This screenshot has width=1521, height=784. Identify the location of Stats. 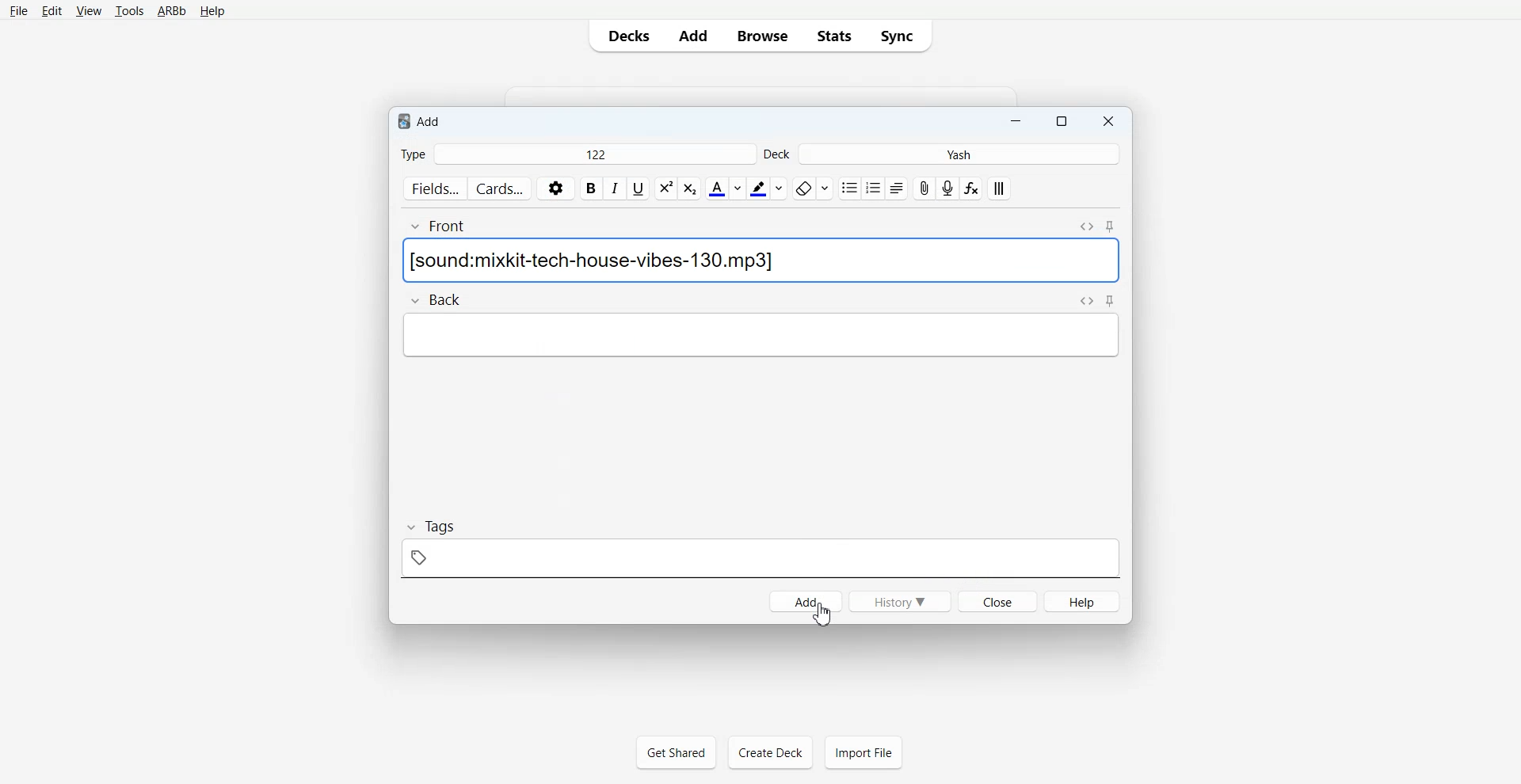
(833, 36).